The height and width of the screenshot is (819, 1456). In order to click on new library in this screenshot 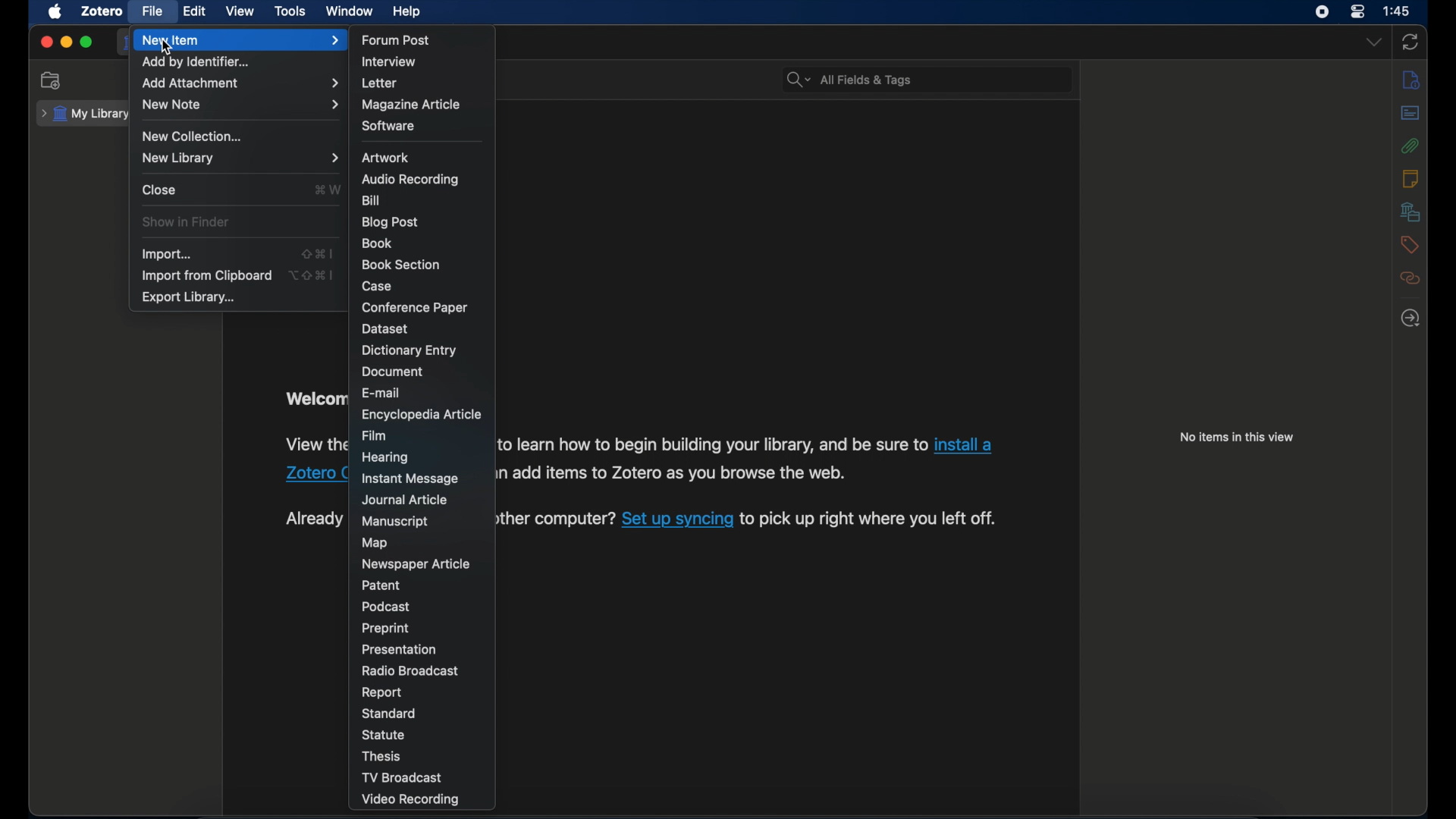, I will do `click(238, 158)`.